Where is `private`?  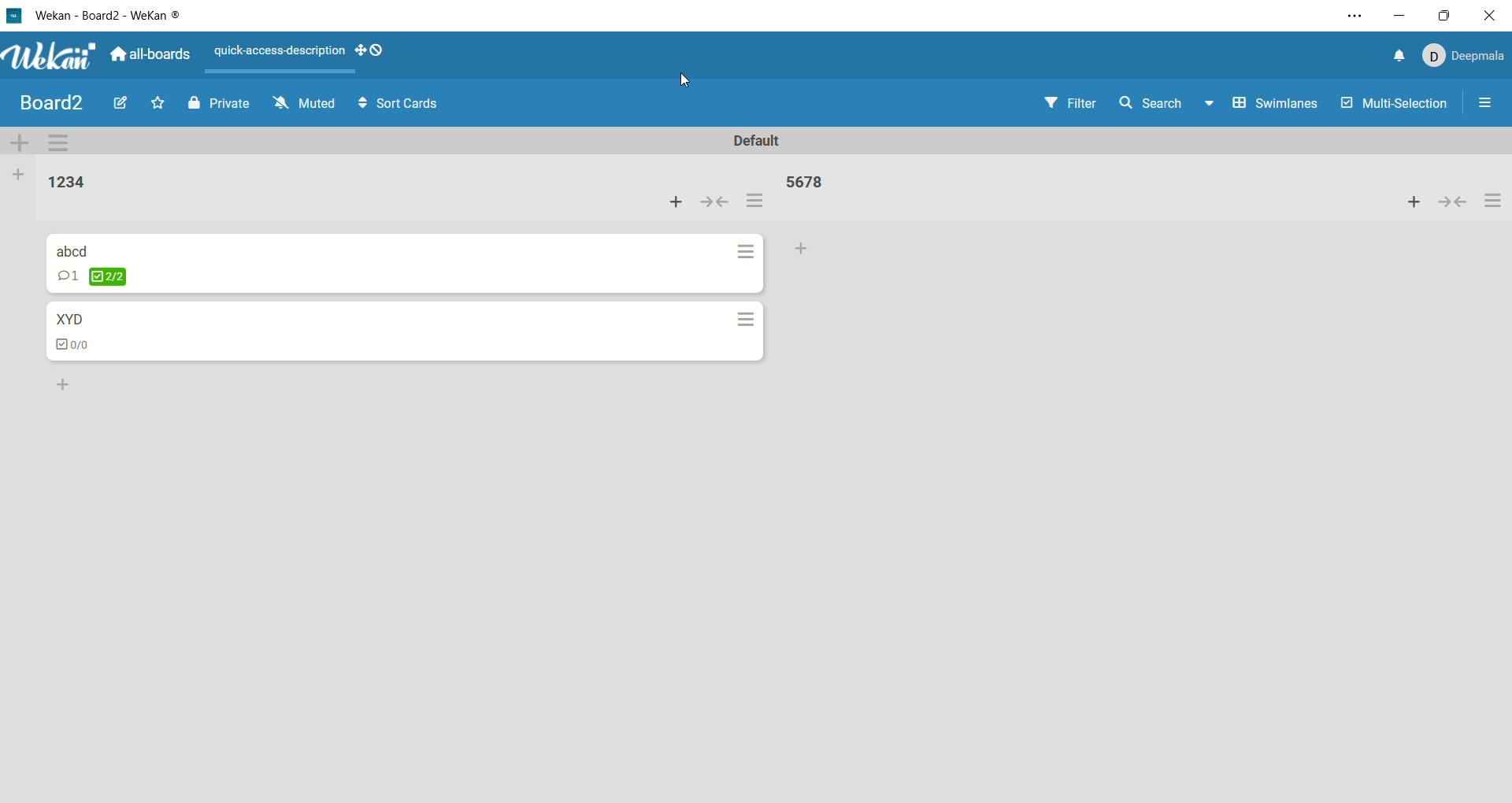
private is located at coordinates (212, 103).